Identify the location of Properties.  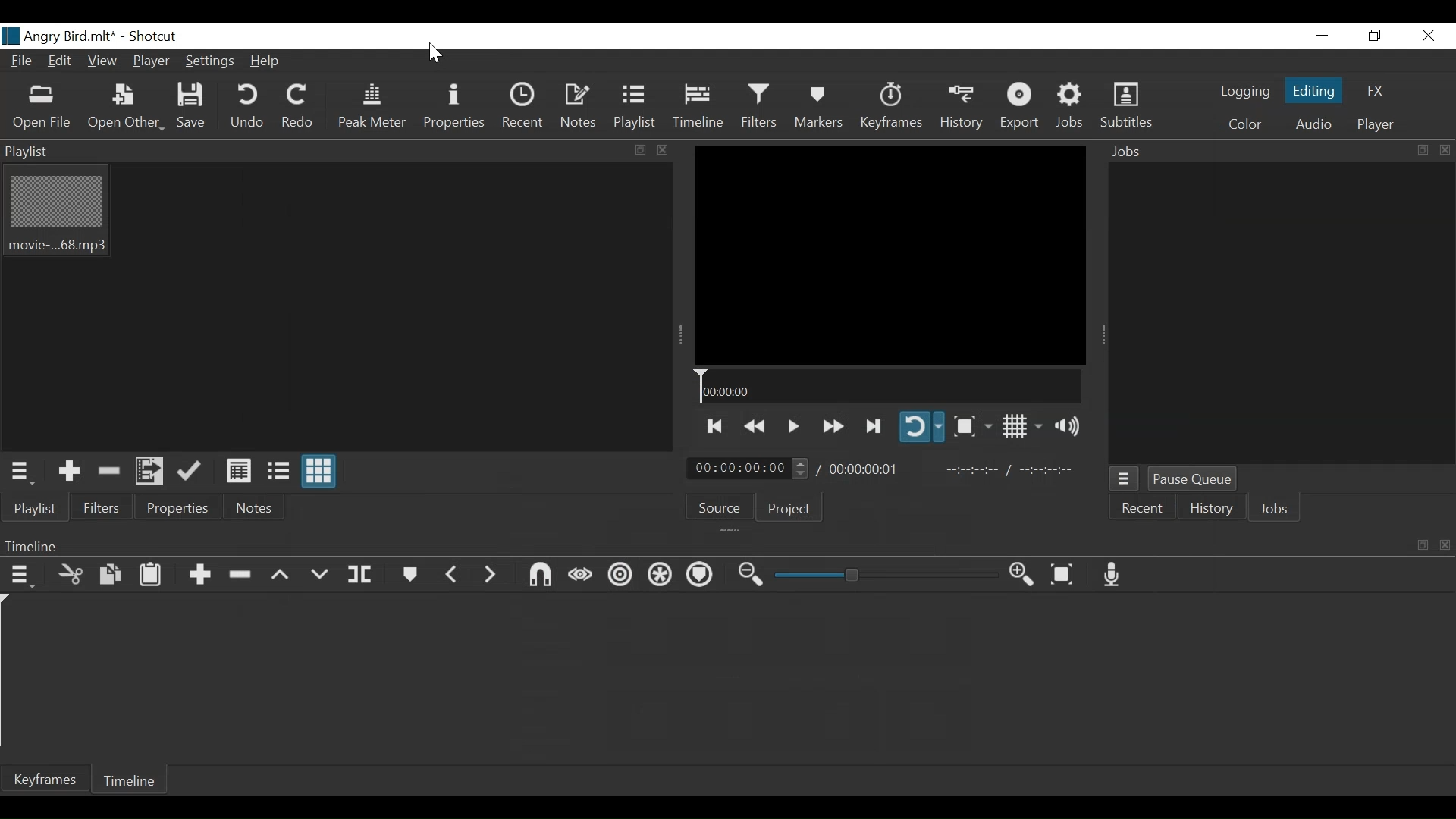
(457, 105).